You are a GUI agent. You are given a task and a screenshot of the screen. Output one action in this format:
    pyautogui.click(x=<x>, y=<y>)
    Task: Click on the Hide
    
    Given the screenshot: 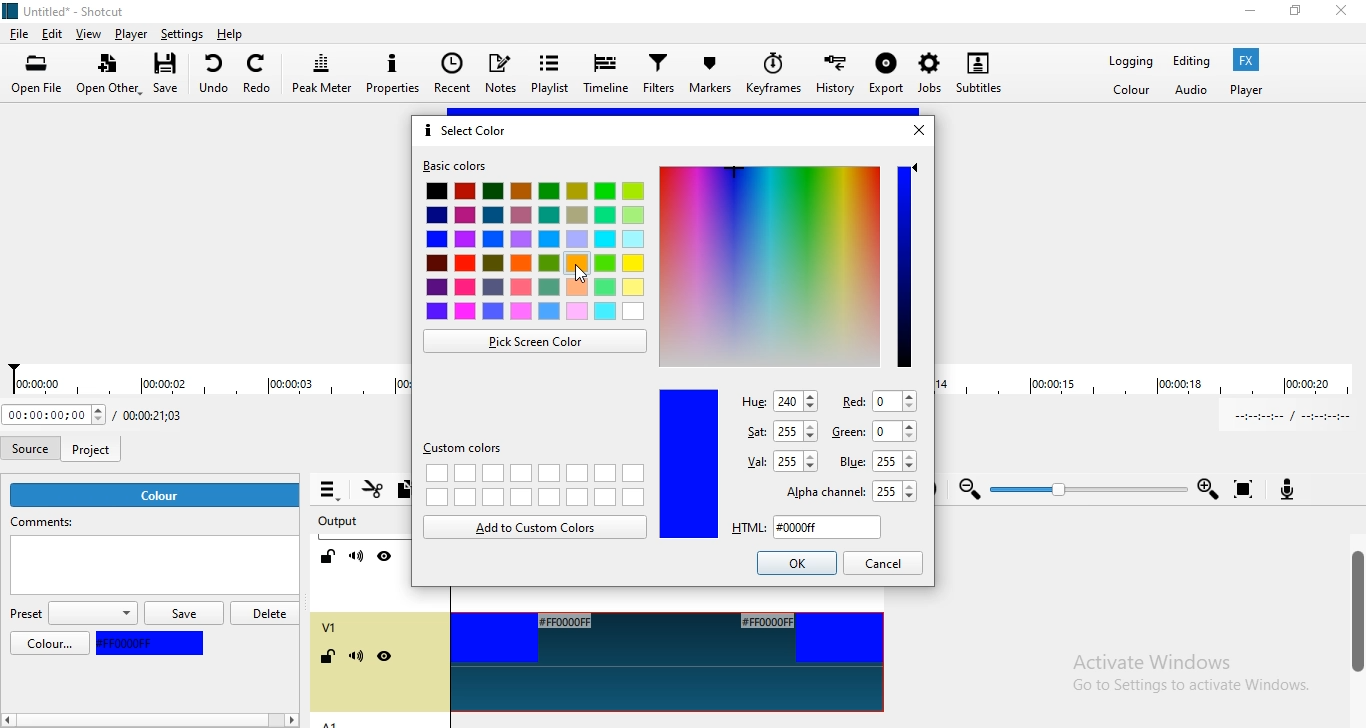 What is the action you would take?
    pyautogui.click(x=384, y=556)
    